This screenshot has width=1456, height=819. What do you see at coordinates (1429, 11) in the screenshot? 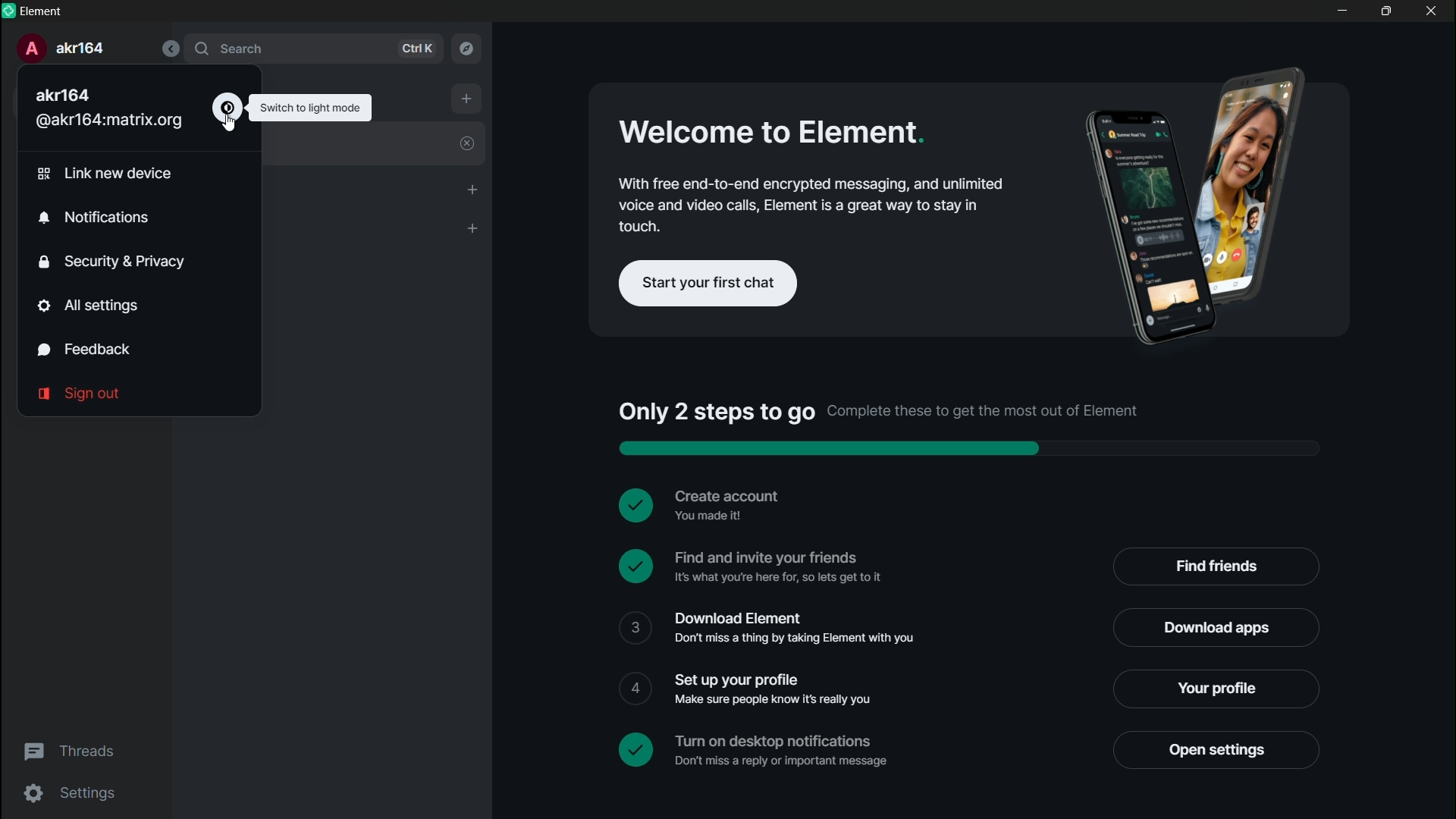
I see `close app` at bounding box center [1429, 11].